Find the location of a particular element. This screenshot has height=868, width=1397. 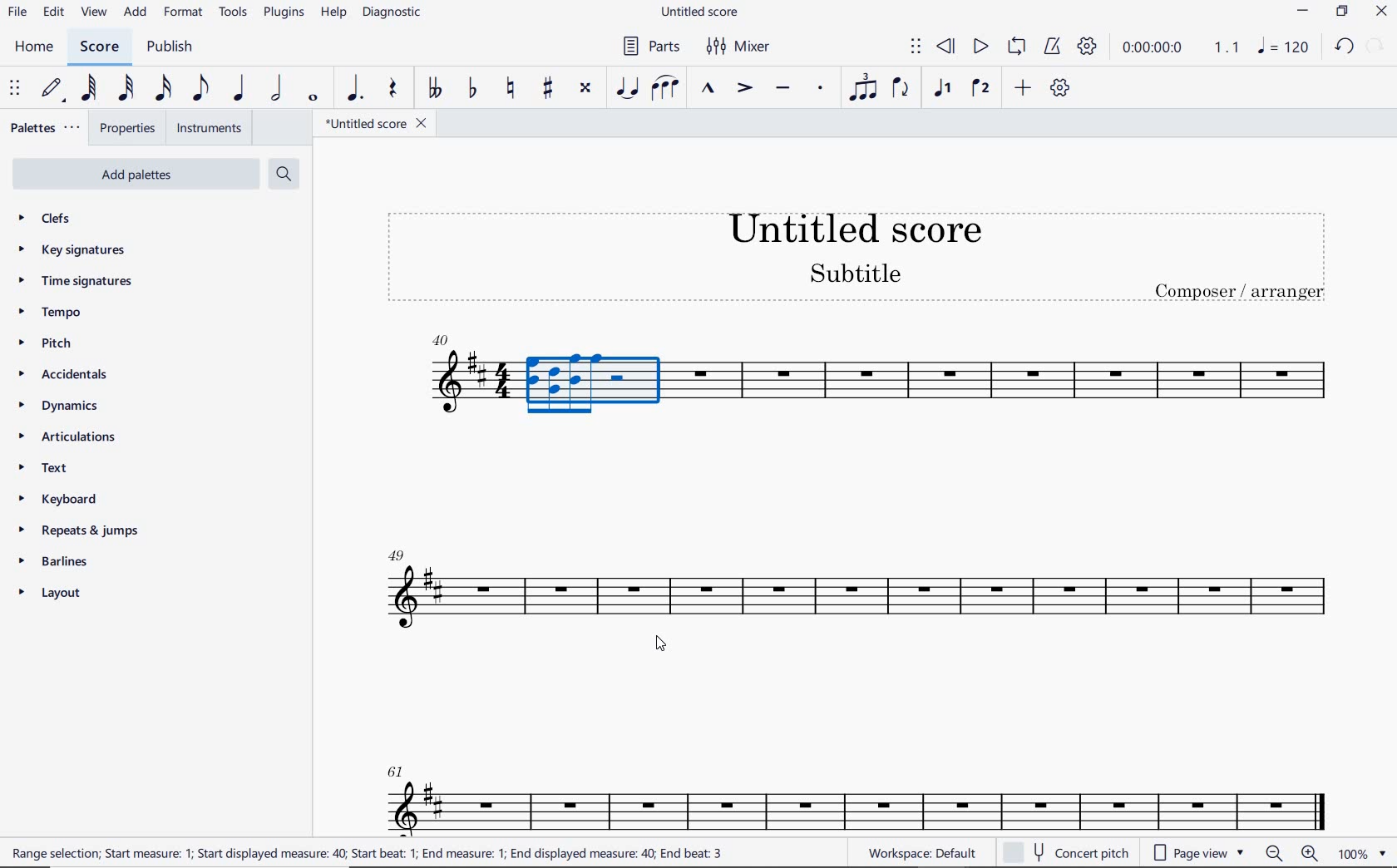

REDO is located at coordinates (1376, 47).